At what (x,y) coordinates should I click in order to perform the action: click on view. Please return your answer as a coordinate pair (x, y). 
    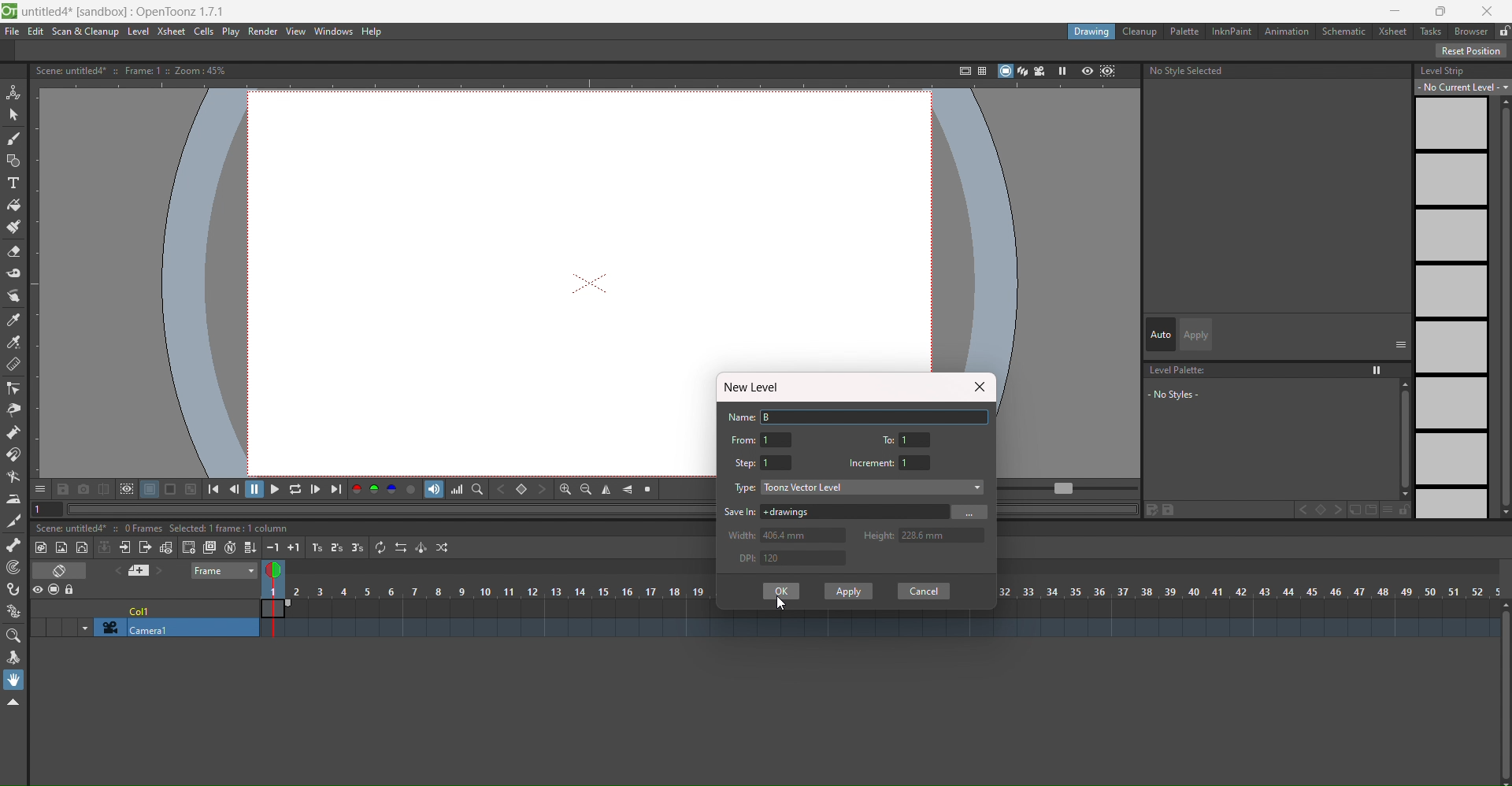
    Looking at the image, I should click on (277, 573).